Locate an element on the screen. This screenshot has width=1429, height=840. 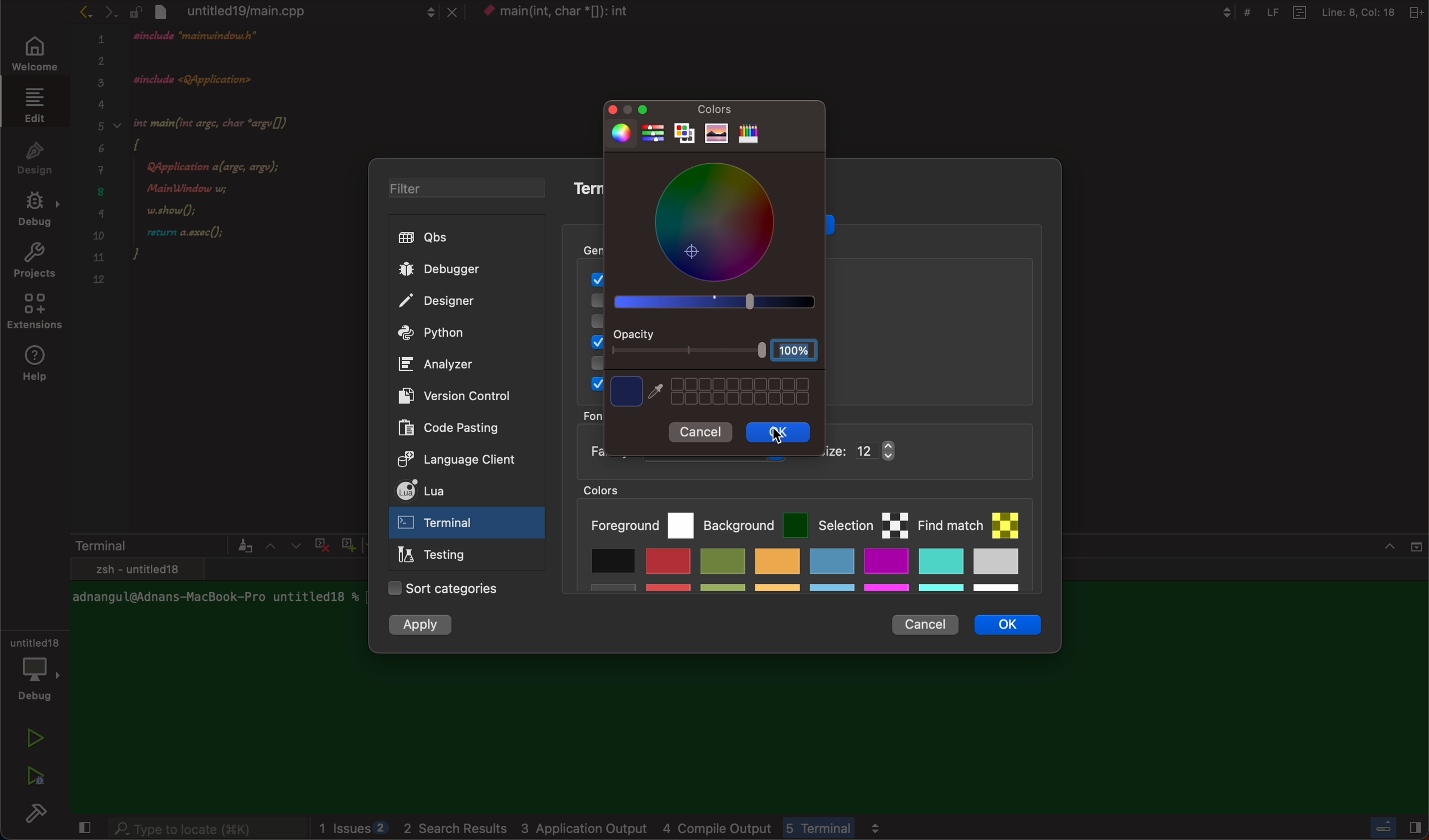
run is located at coordinates (36, 738).